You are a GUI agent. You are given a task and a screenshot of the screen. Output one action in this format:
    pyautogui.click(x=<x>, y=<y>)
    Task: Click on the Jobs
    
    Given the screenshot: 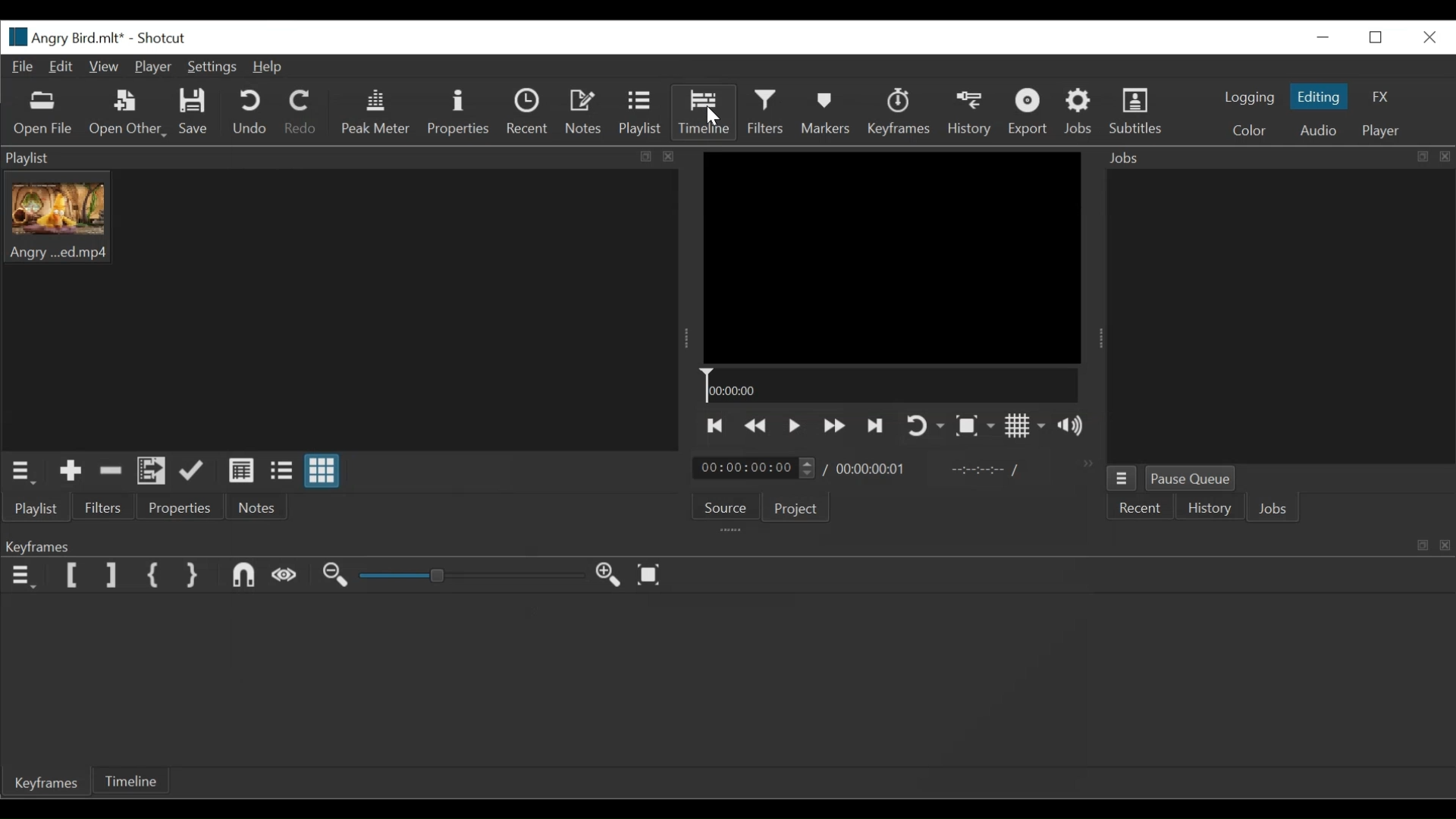 What is the action you would take?
    pyautogui.click(x=1273, y=510)
    